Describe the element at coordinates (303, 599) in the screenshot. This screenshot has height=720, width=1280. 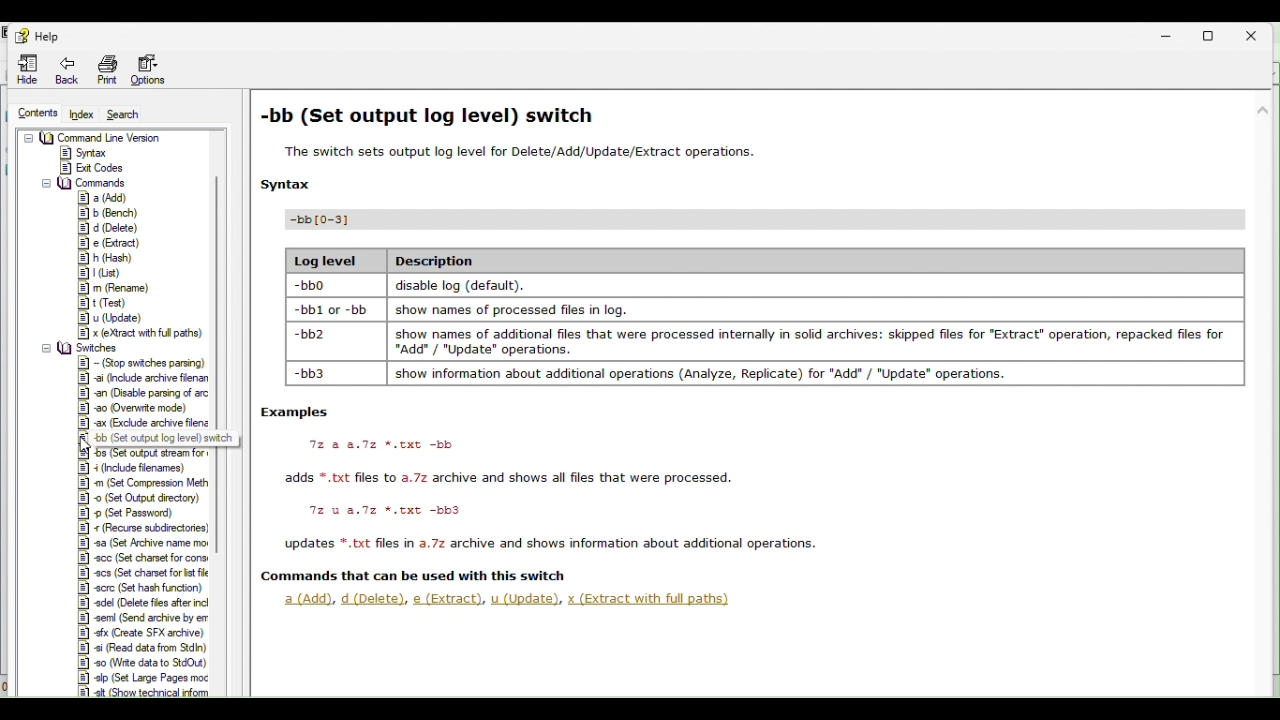
I see `a (Add)` at that location.